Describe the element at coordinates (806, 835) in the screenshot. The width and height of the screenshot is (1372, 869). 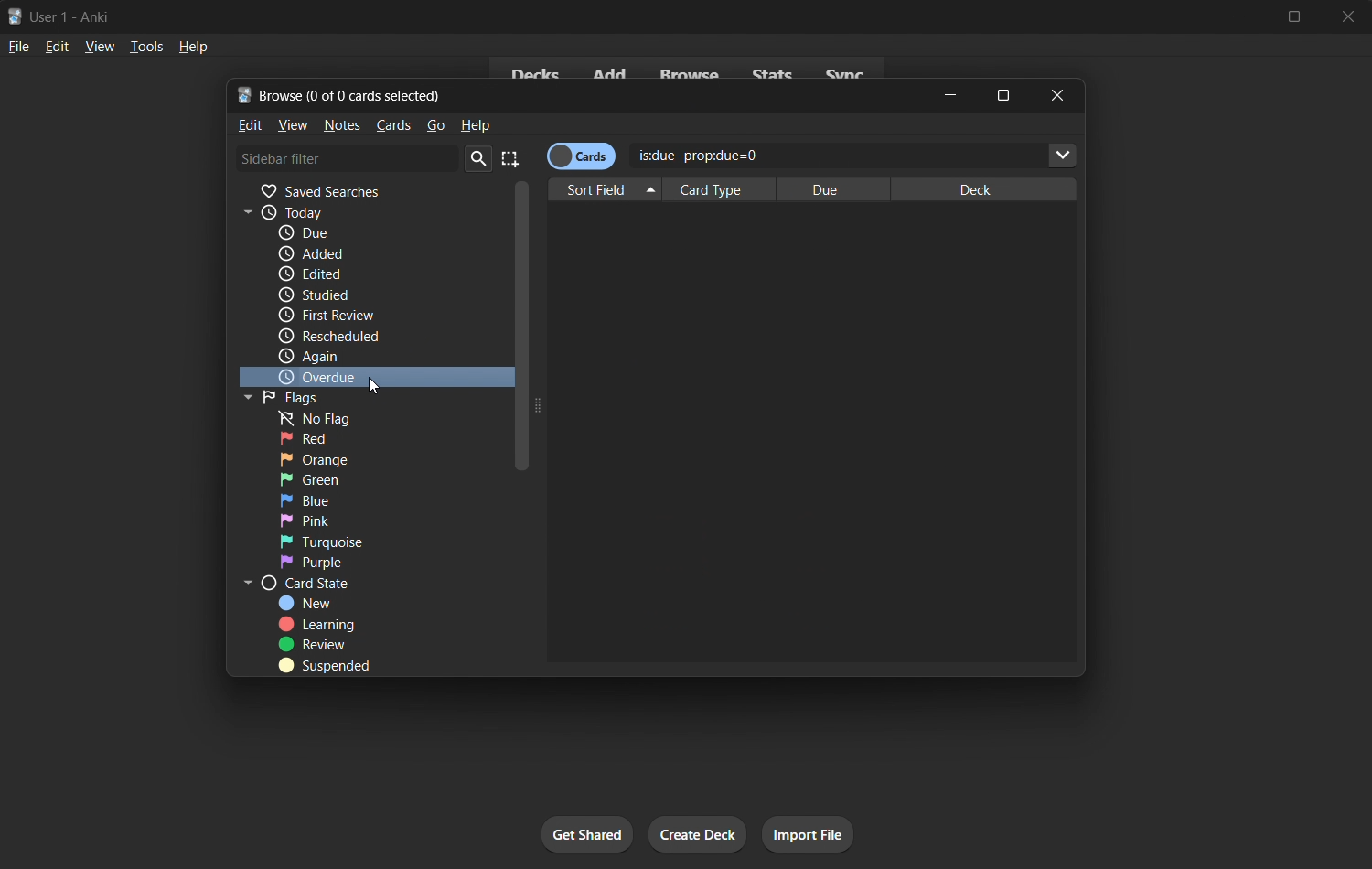
I see `import file` at that location.